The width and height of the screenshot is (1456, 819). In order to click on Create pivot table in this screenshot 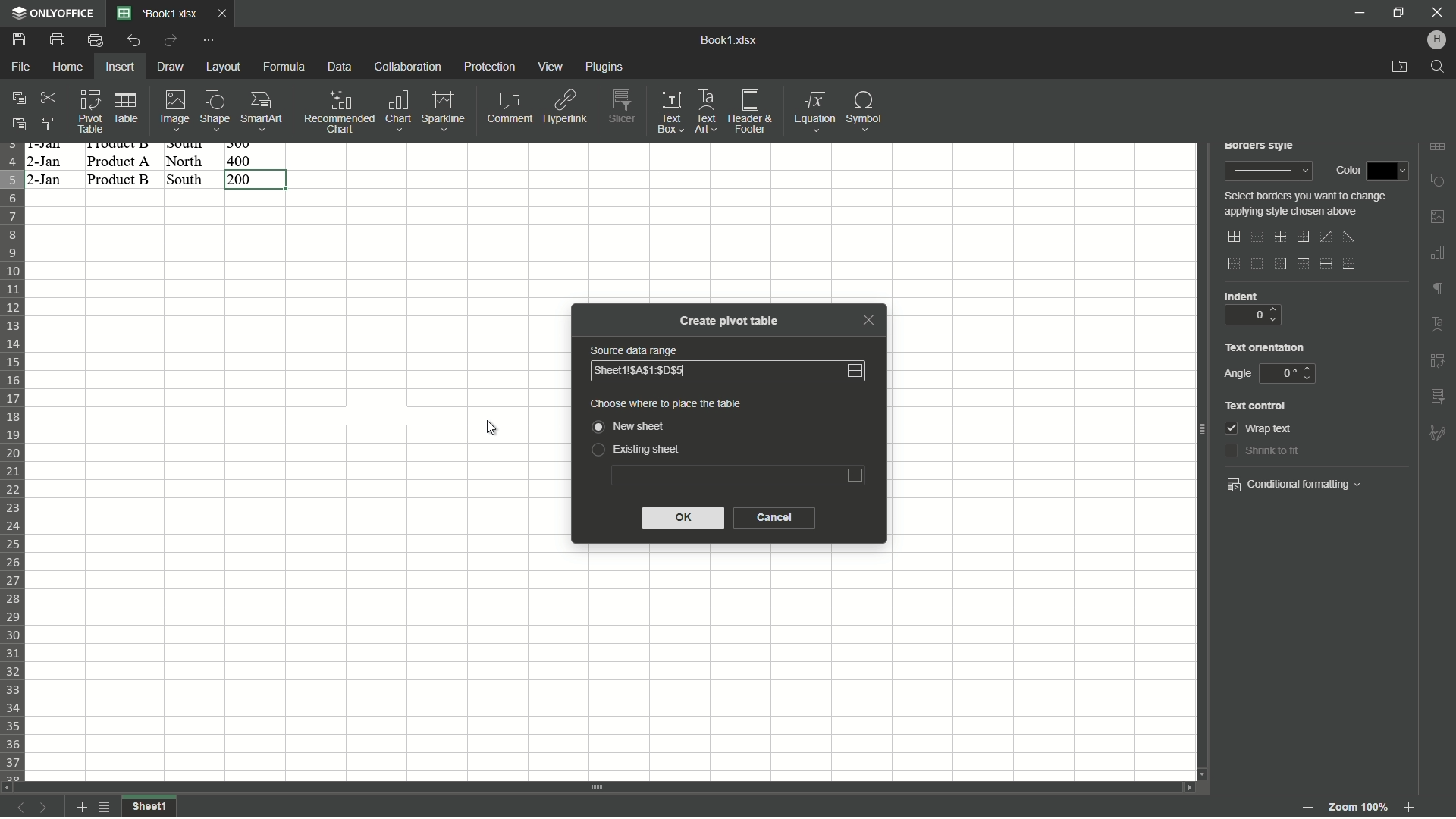, I will do `click(729, 320)`.